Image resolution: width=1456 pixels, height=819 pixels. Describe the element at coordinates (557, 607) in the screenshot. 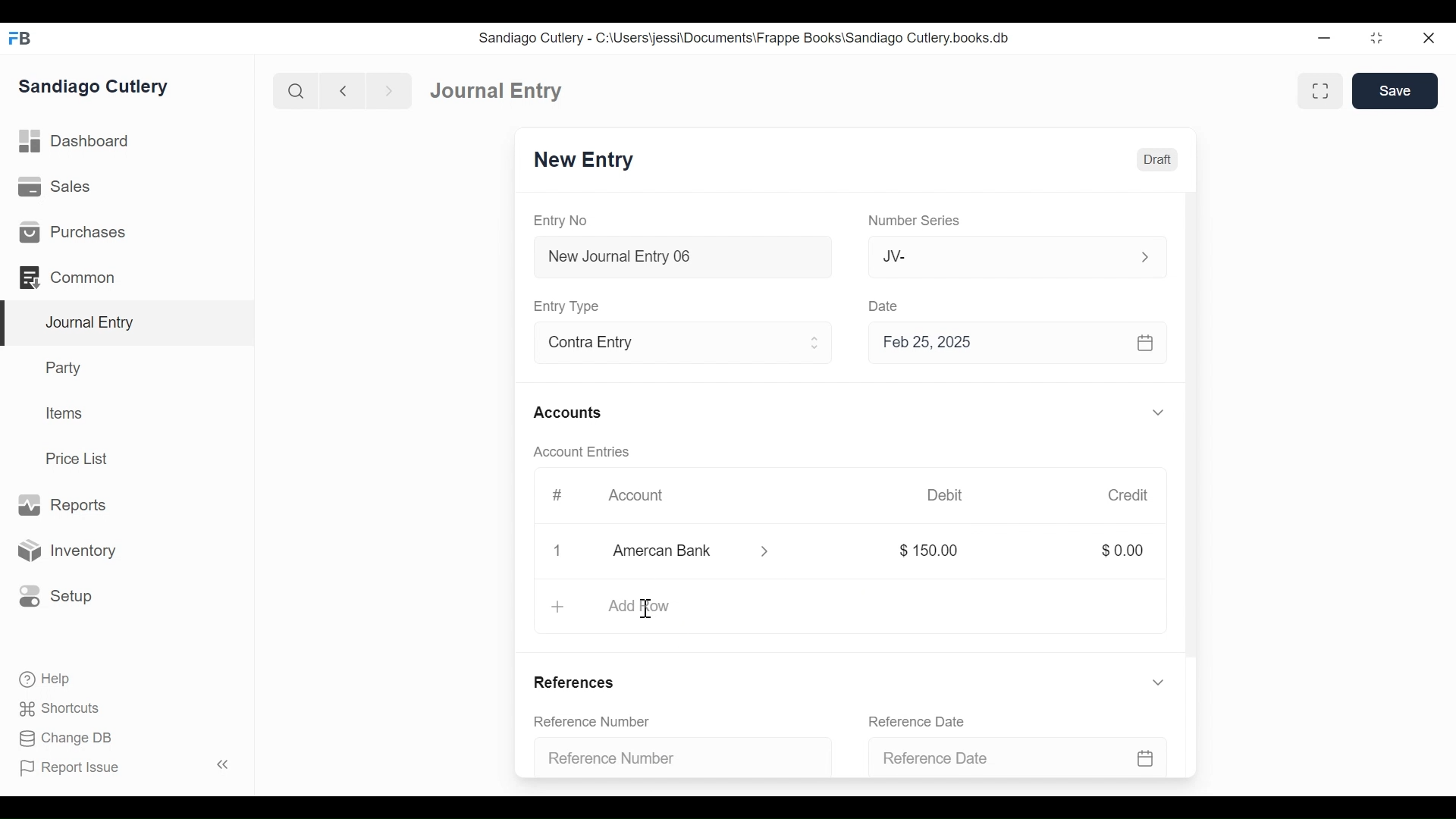

I see `+` at that location.